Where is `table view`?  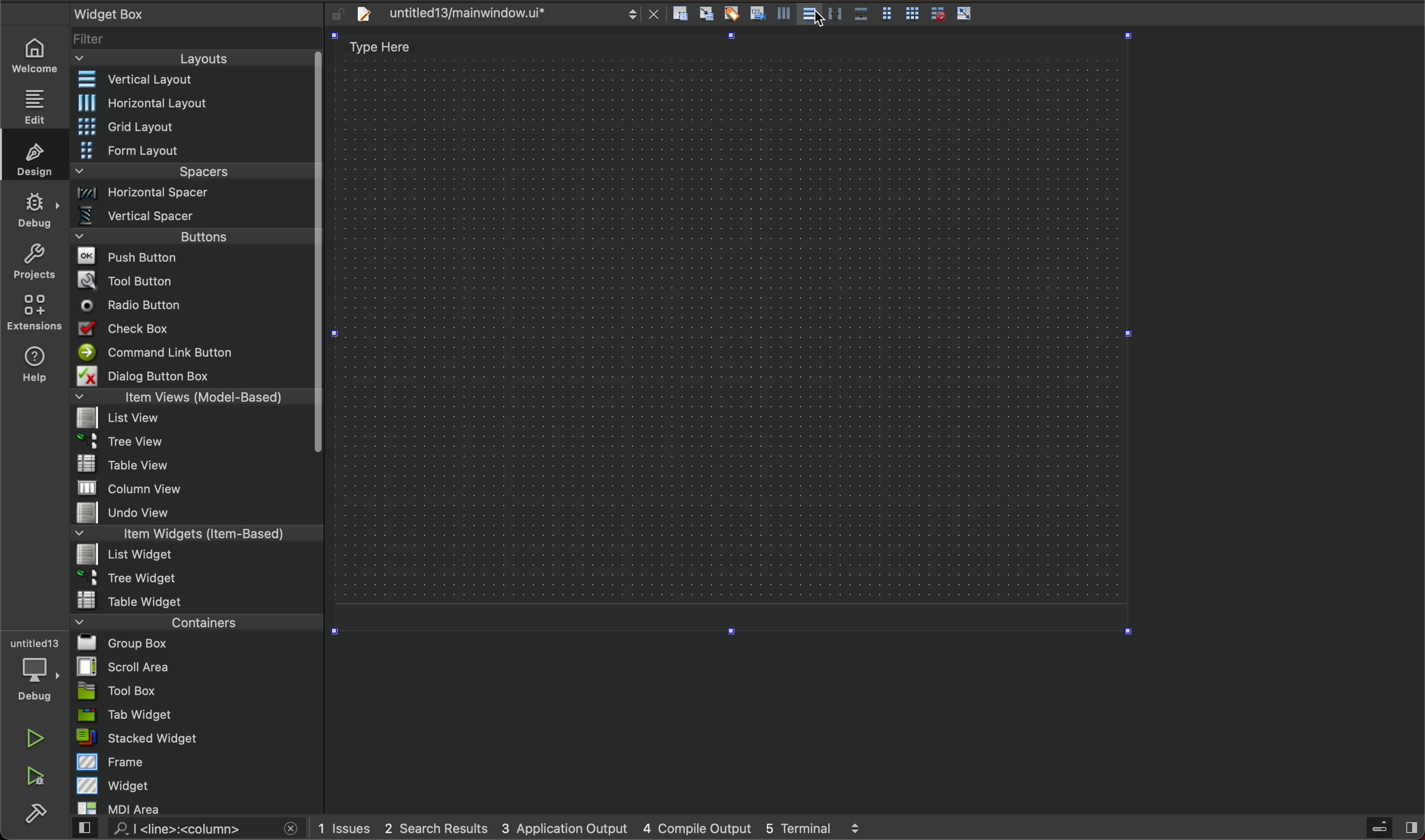
table view is located at coordinates (191, 465).